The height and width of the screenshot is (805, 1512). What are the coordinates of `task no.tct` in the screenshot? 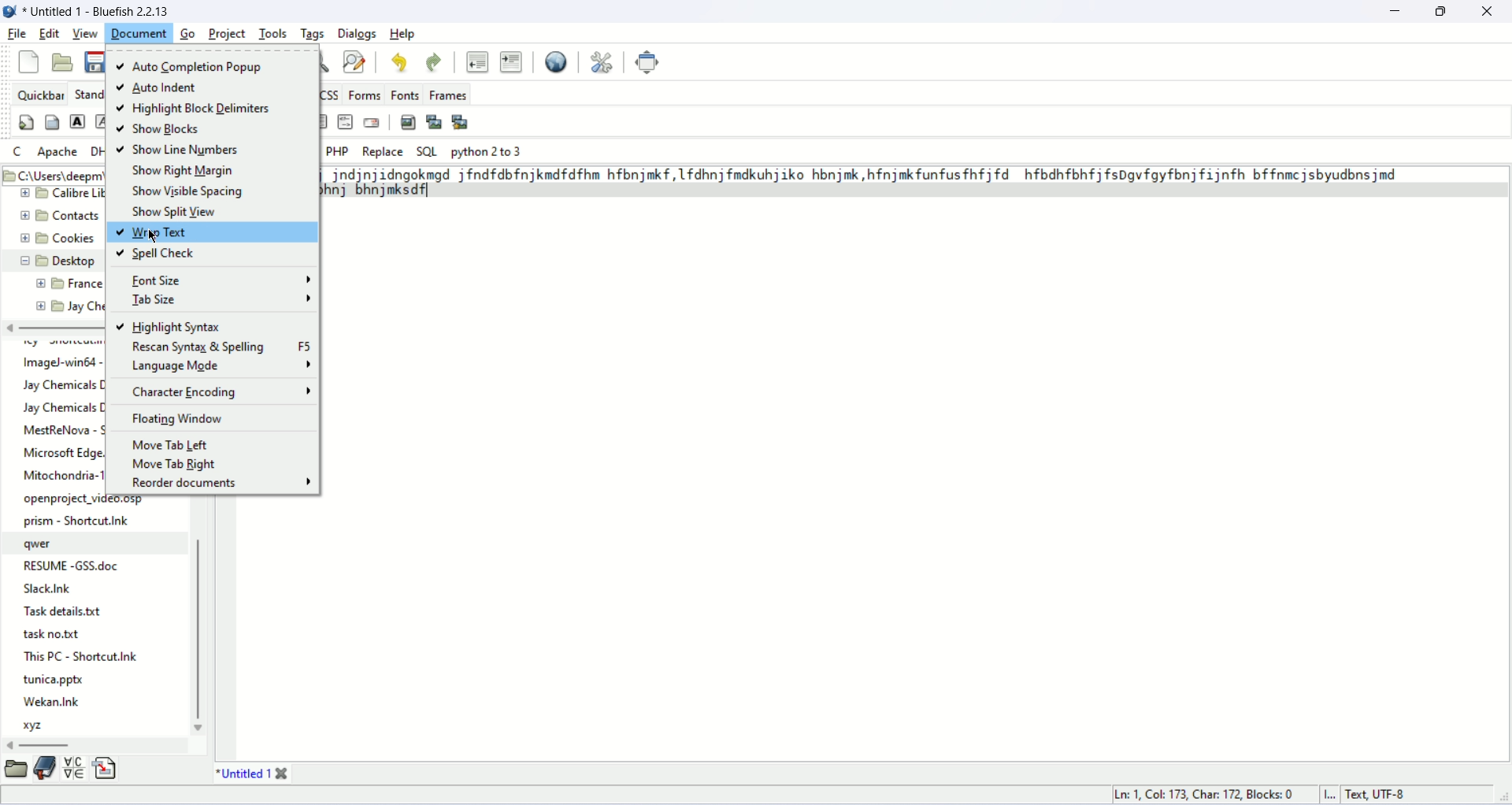 It's located at (56, 632).